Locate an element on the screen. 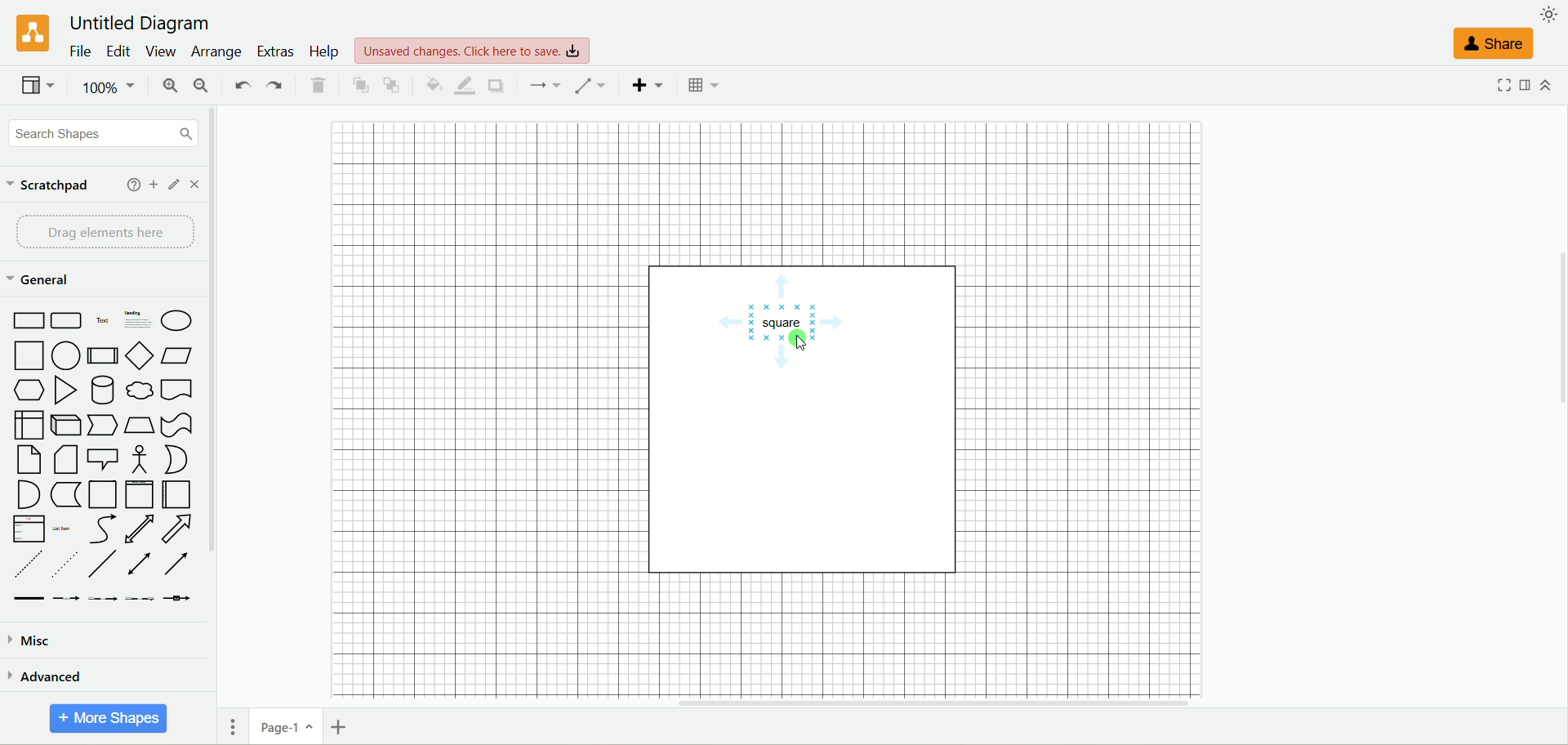  share is located at coordinates (1491, 42).